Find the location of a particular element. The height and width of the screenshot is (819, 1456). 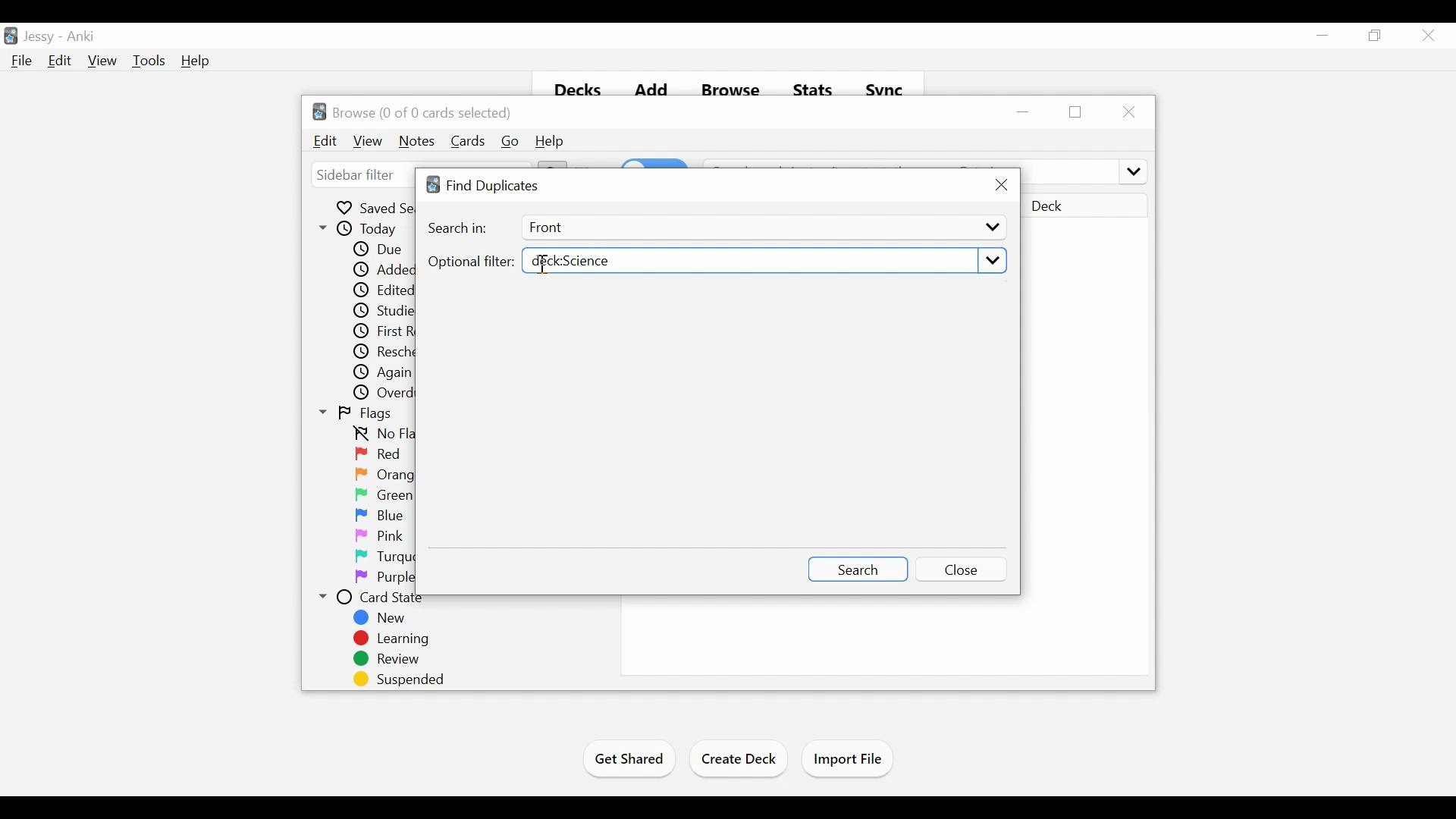

Cards is located at coordinates (469, 141).